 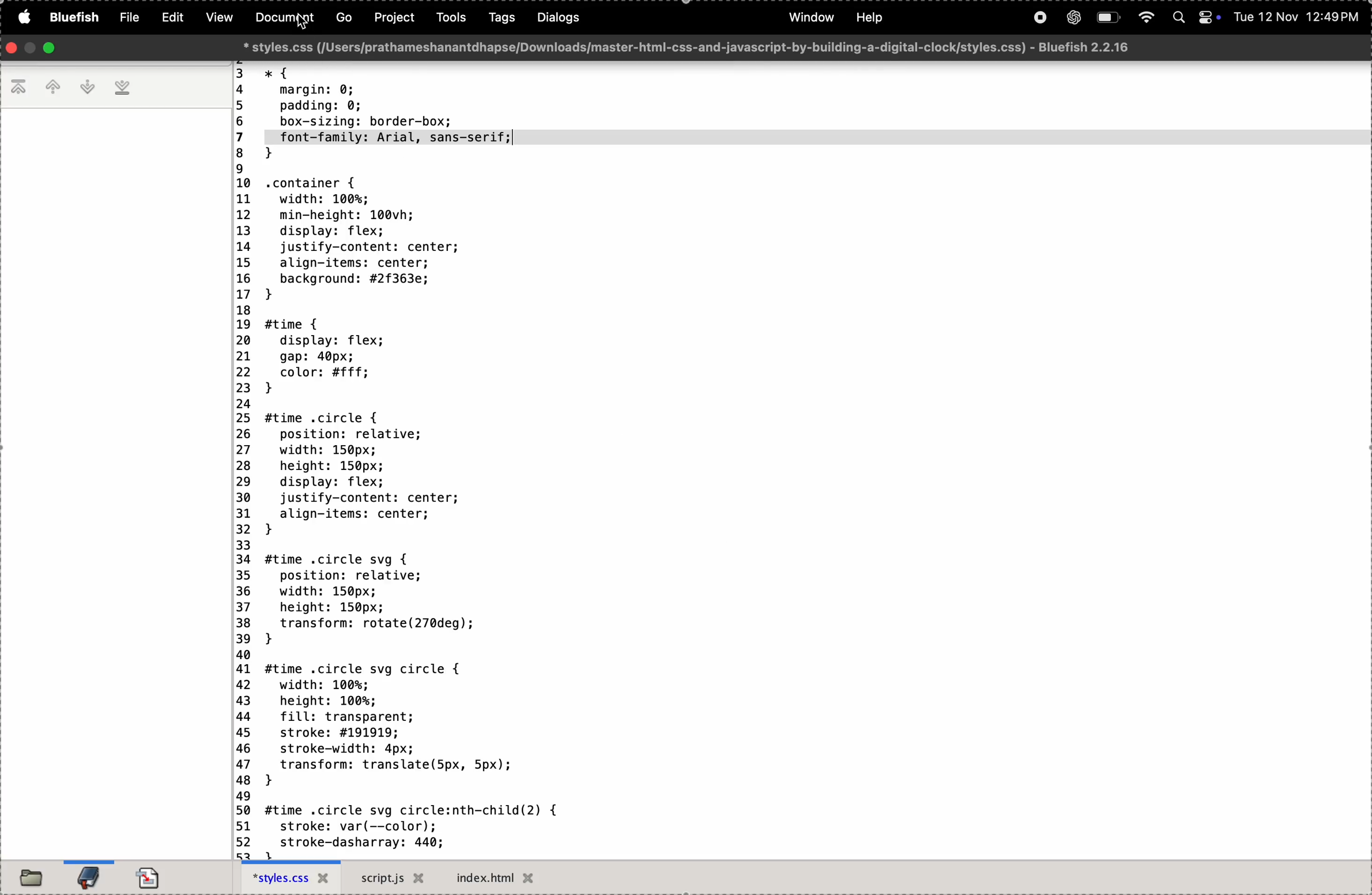 I want to click on Apple, so click(x=22, y=18).